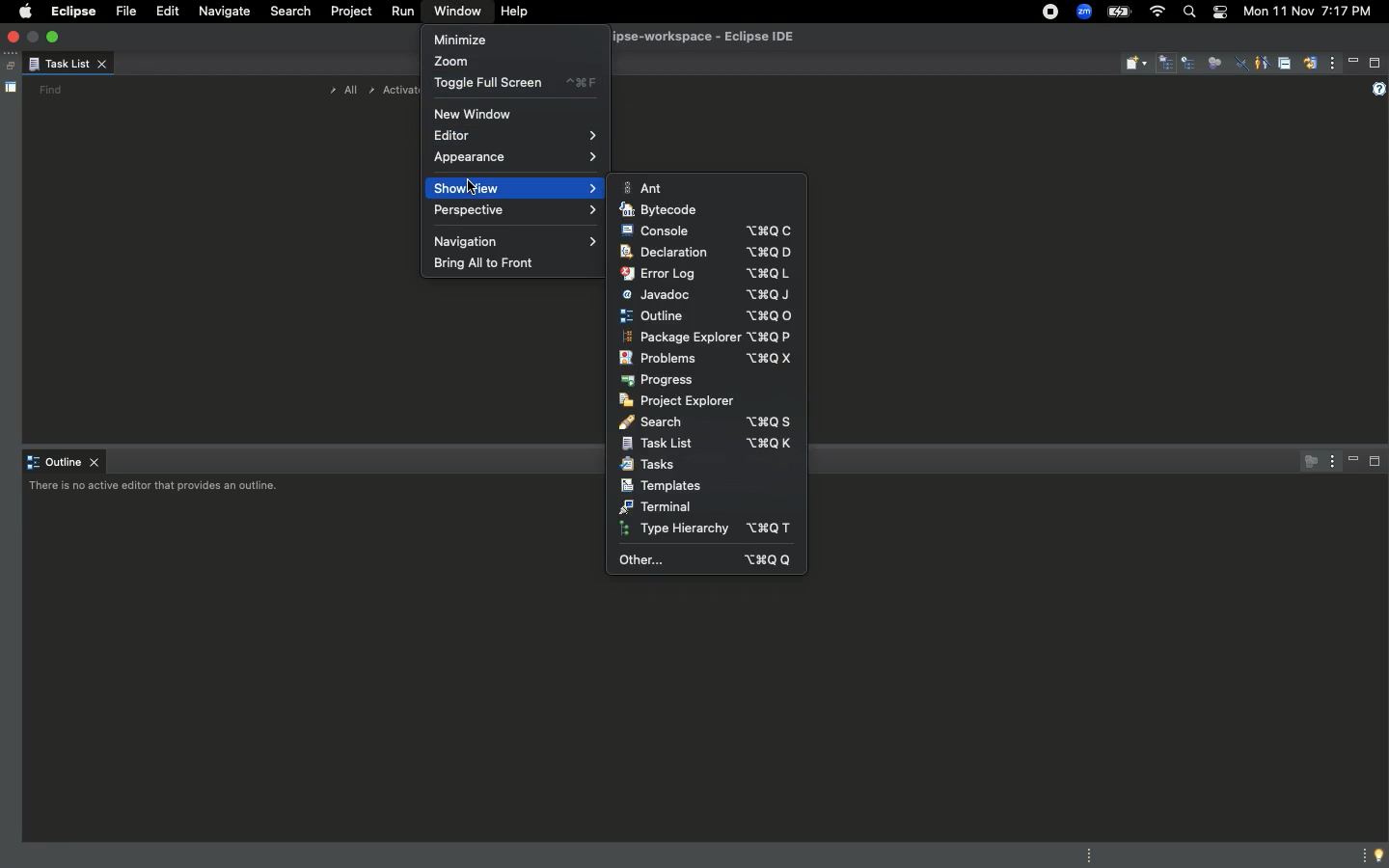 The image size is (1389, 868). What do you see at coordinates (24, 11) in the screenshot?
I see `Apple logo` at bounding box center [24, 11].